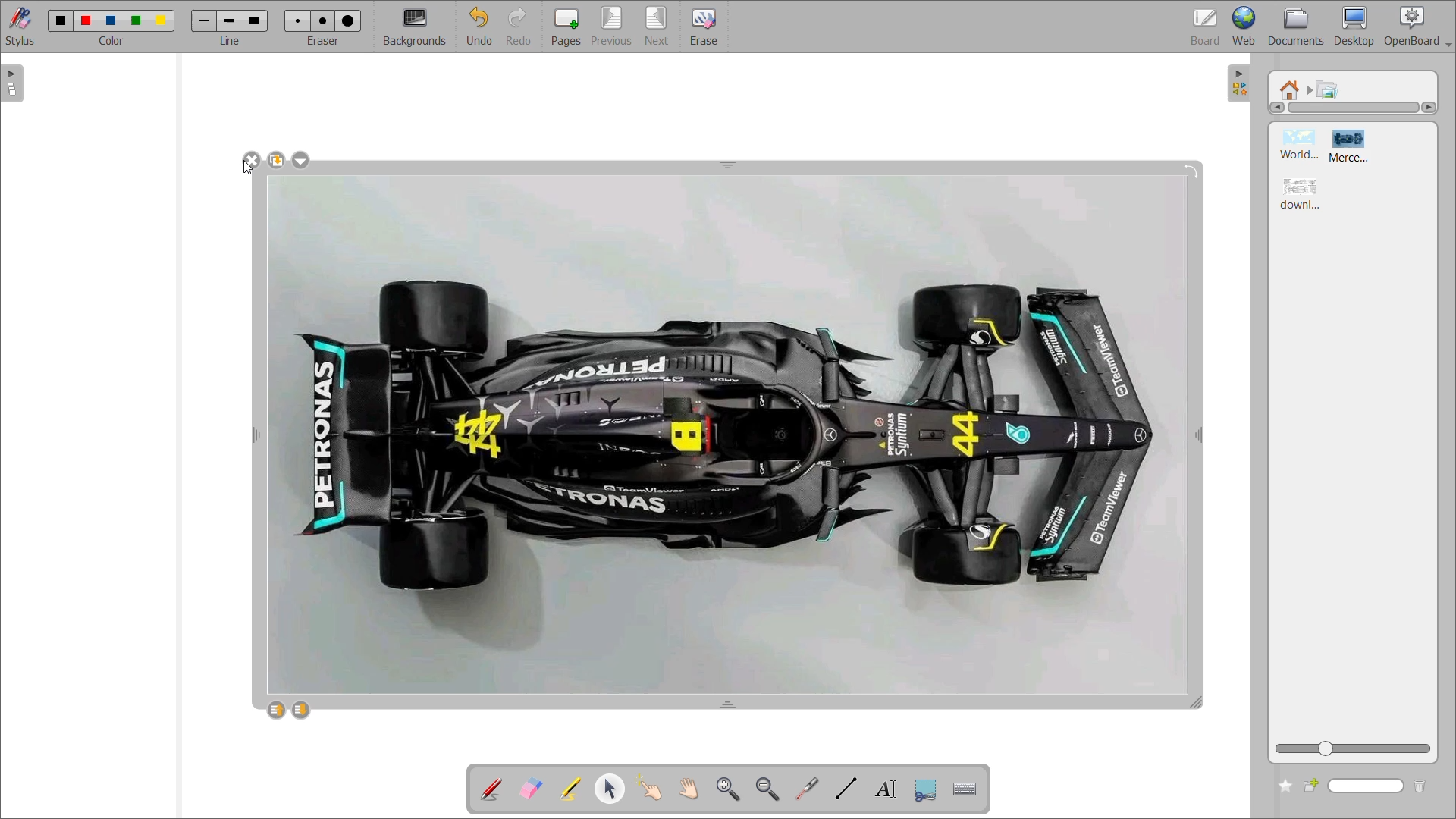 The image size is (1456, 819). What do you see at coordinates (1351, 748) in the screenshot?
I see `zoom slider` at bounding box center [1351, 748].